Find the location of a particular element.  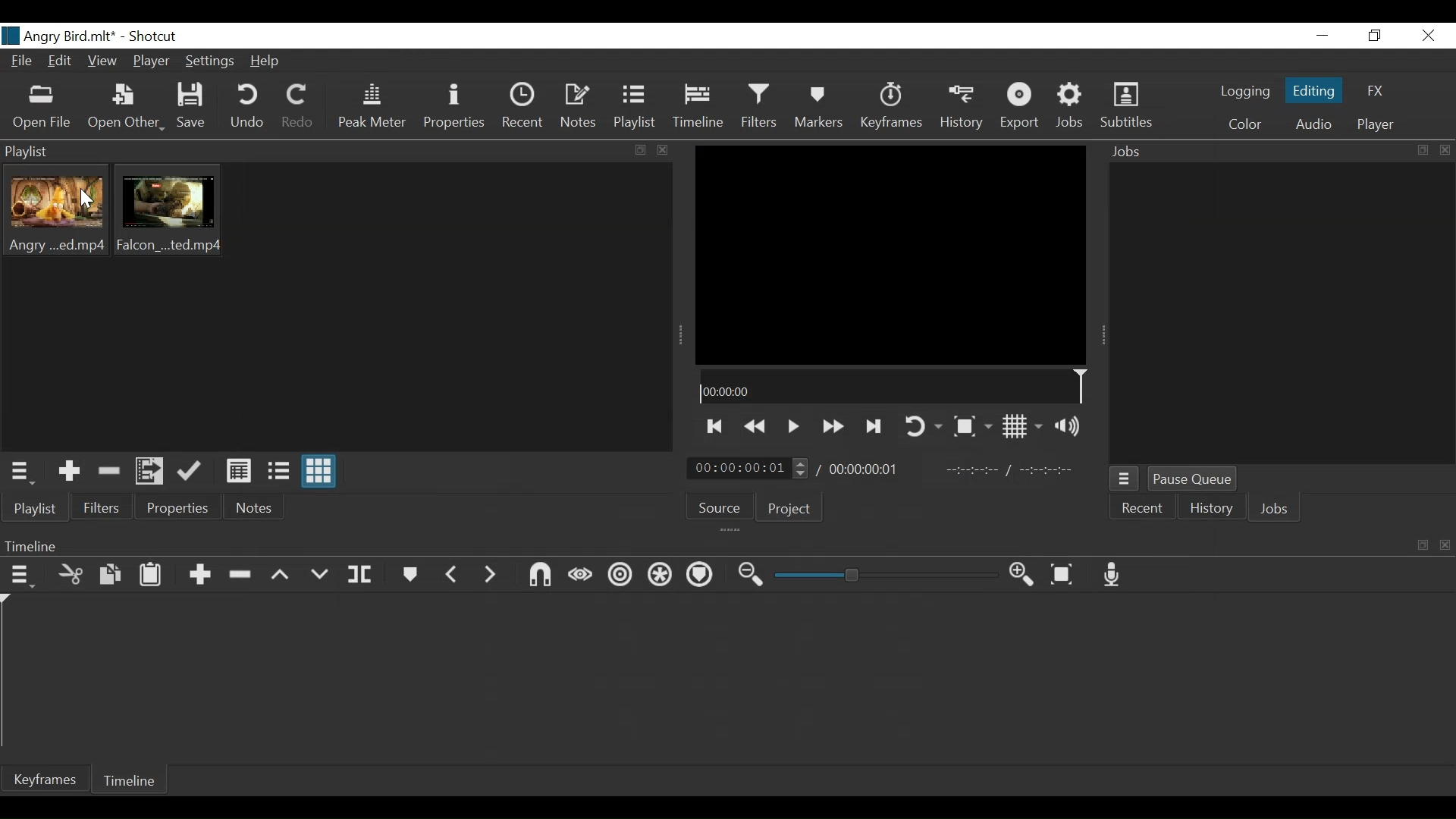

Ripple all tracks is located at coordinates (658, 575).